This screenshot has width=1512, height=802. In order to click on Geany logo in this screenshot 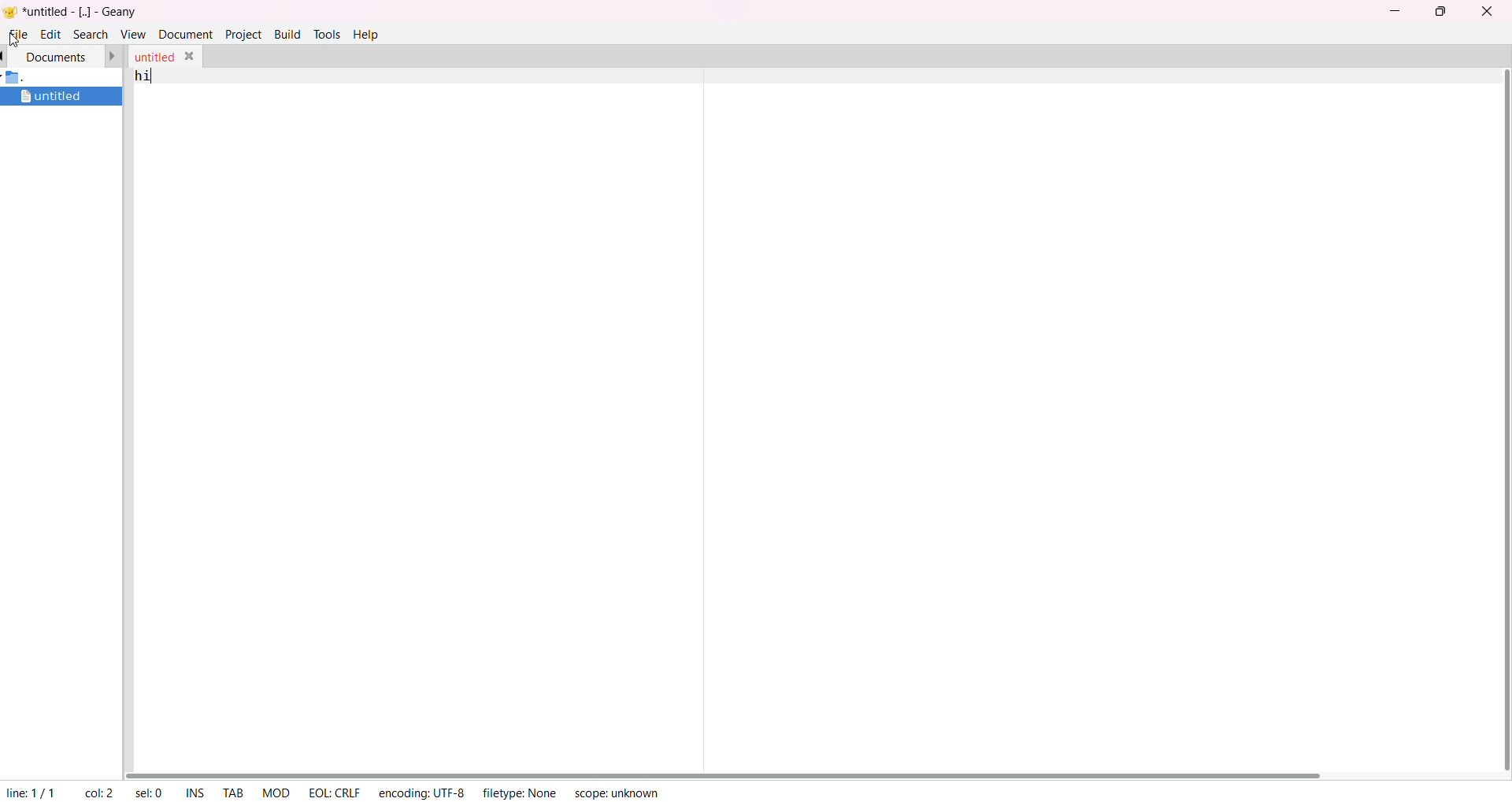, I will do `click(10, 11)`.